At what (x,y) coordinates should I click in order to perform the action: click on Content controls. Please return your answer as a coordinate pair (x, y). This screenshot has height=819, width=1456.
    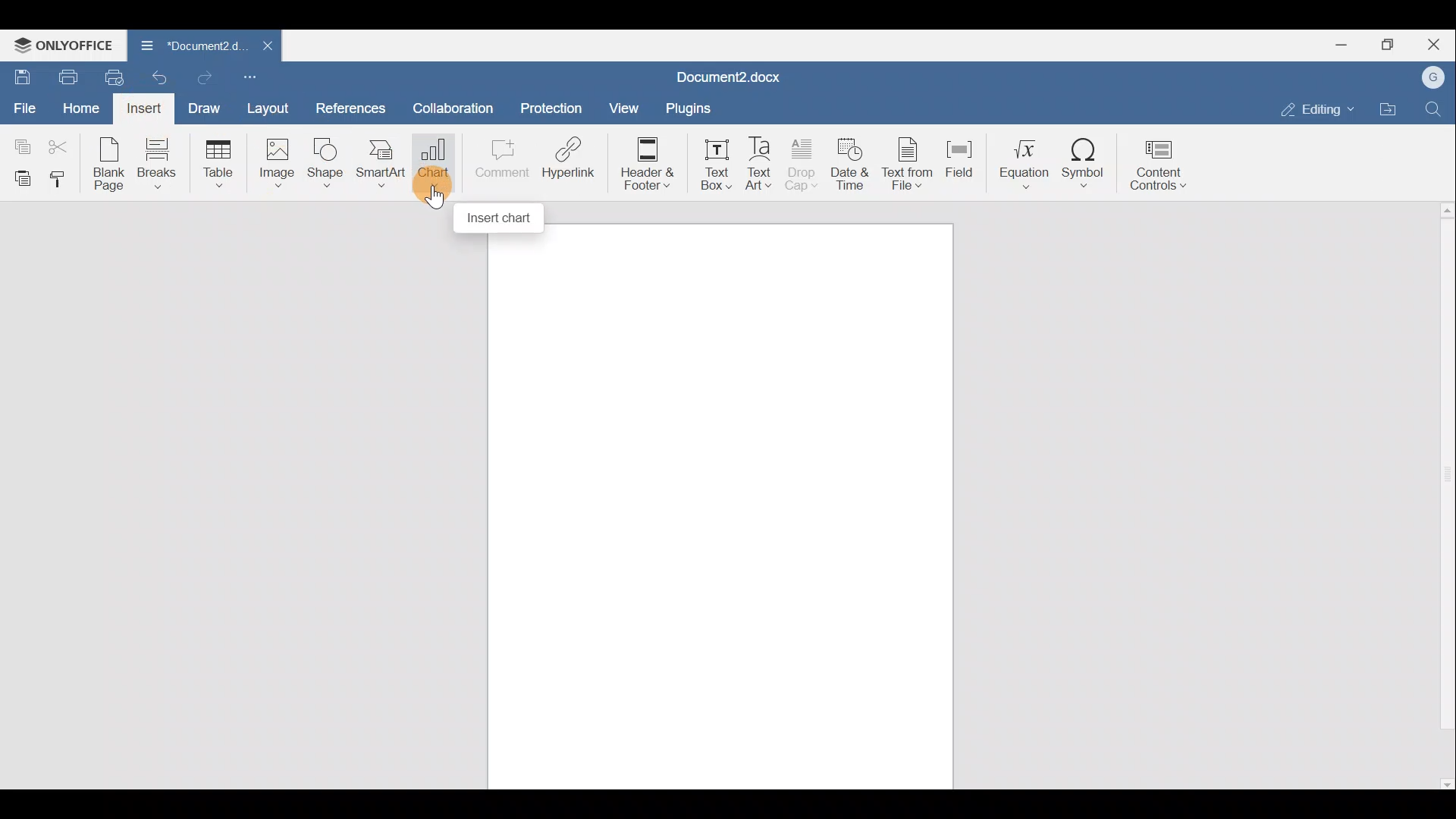
    Looking at the image, I should click on (1161, 165).